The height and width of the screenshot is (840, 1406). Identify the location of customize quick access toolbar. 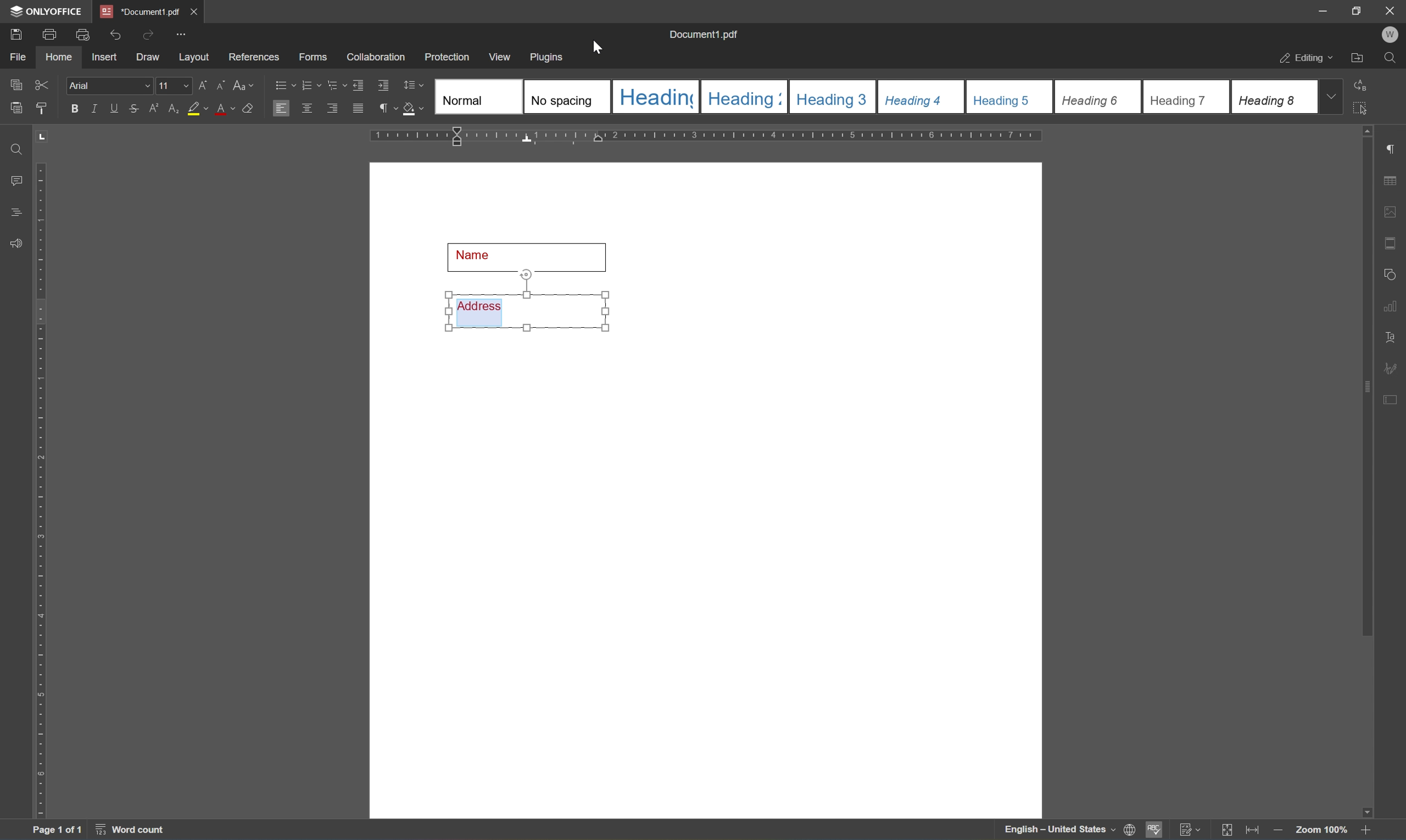
(181, 34).